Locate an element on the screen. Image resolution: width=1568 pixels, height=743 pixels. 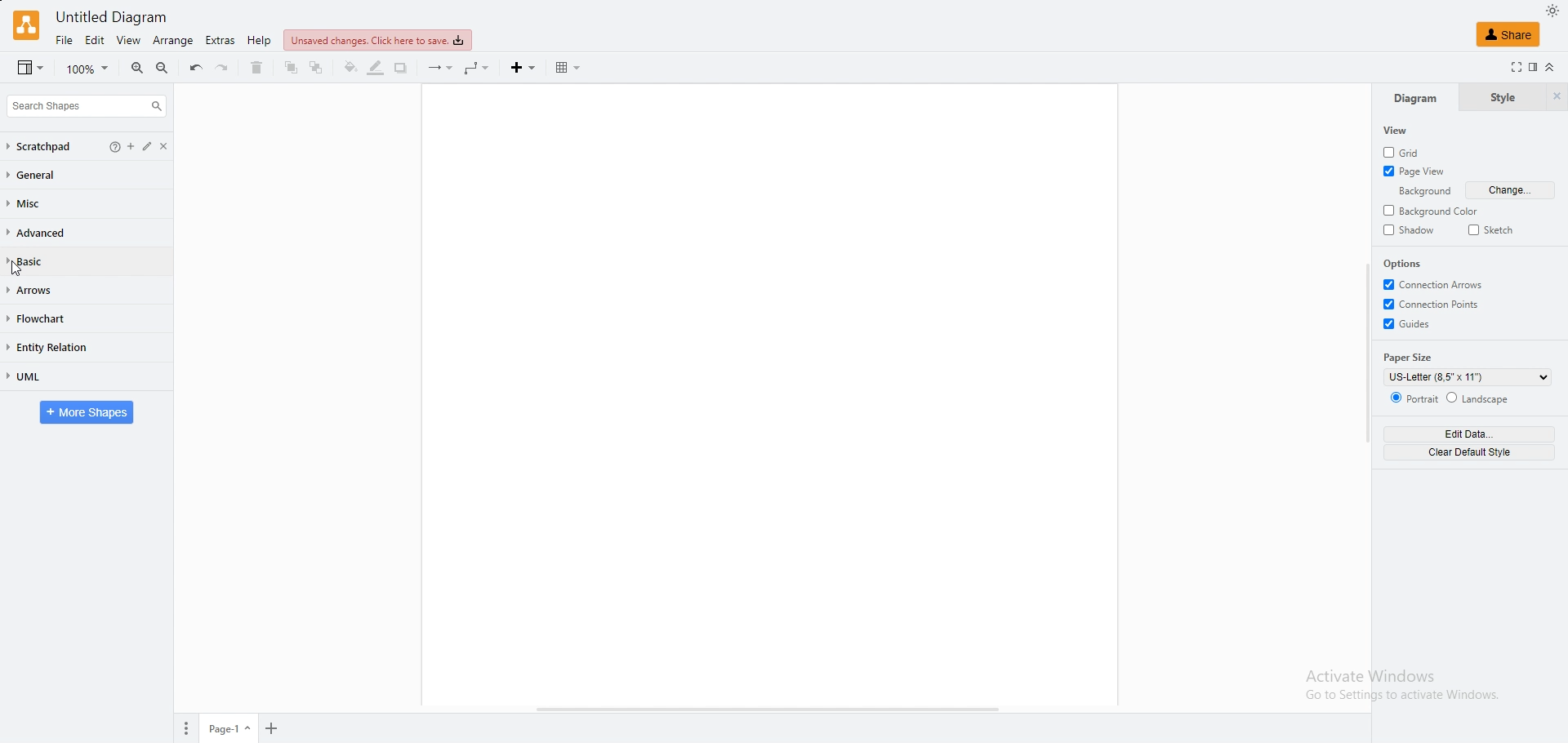
clear default style is located at coordinates (1468, 452).